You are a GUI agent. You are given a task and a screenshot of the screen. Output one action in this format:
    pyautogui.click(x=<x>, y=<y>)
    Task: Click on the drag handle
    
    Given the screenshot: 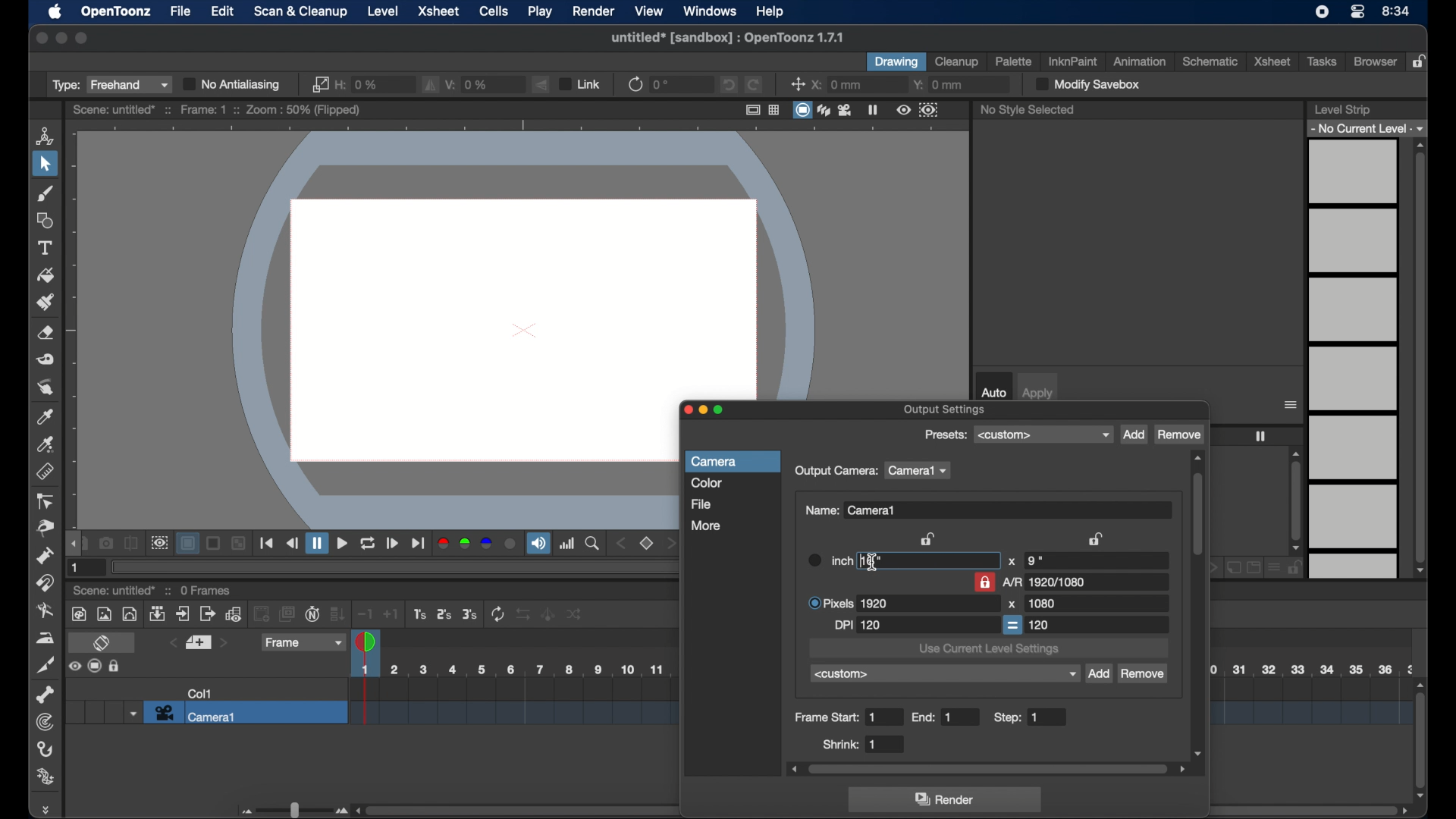 What is the action you would take?
    pyautogui.click(x=49, y=809)
    